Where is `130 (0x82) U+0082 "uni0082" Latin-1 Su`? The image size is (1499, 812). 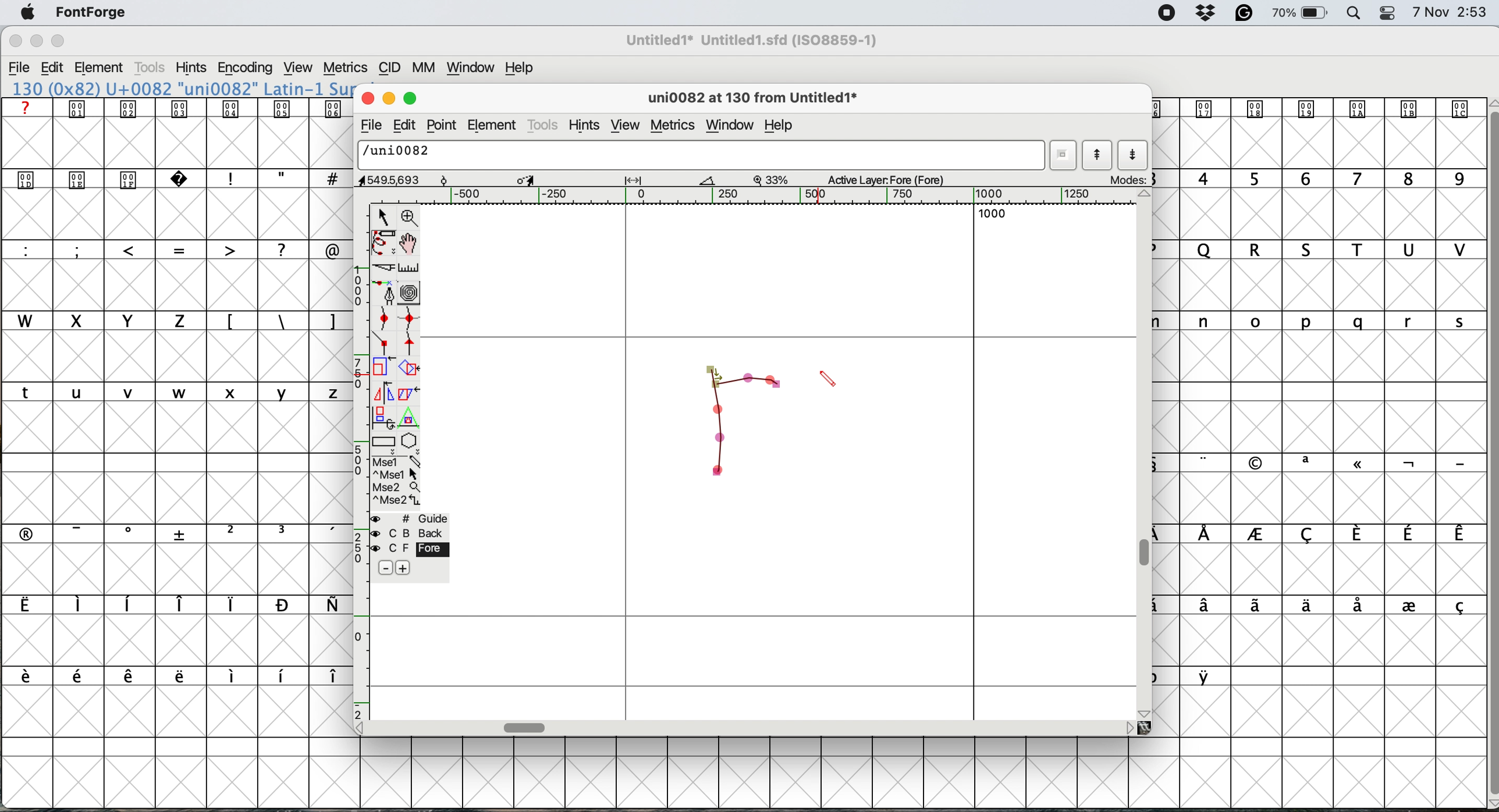
130 (0x82) U+0082 "uni0082" Latin-1 Su is located at coordinates (182, 88).